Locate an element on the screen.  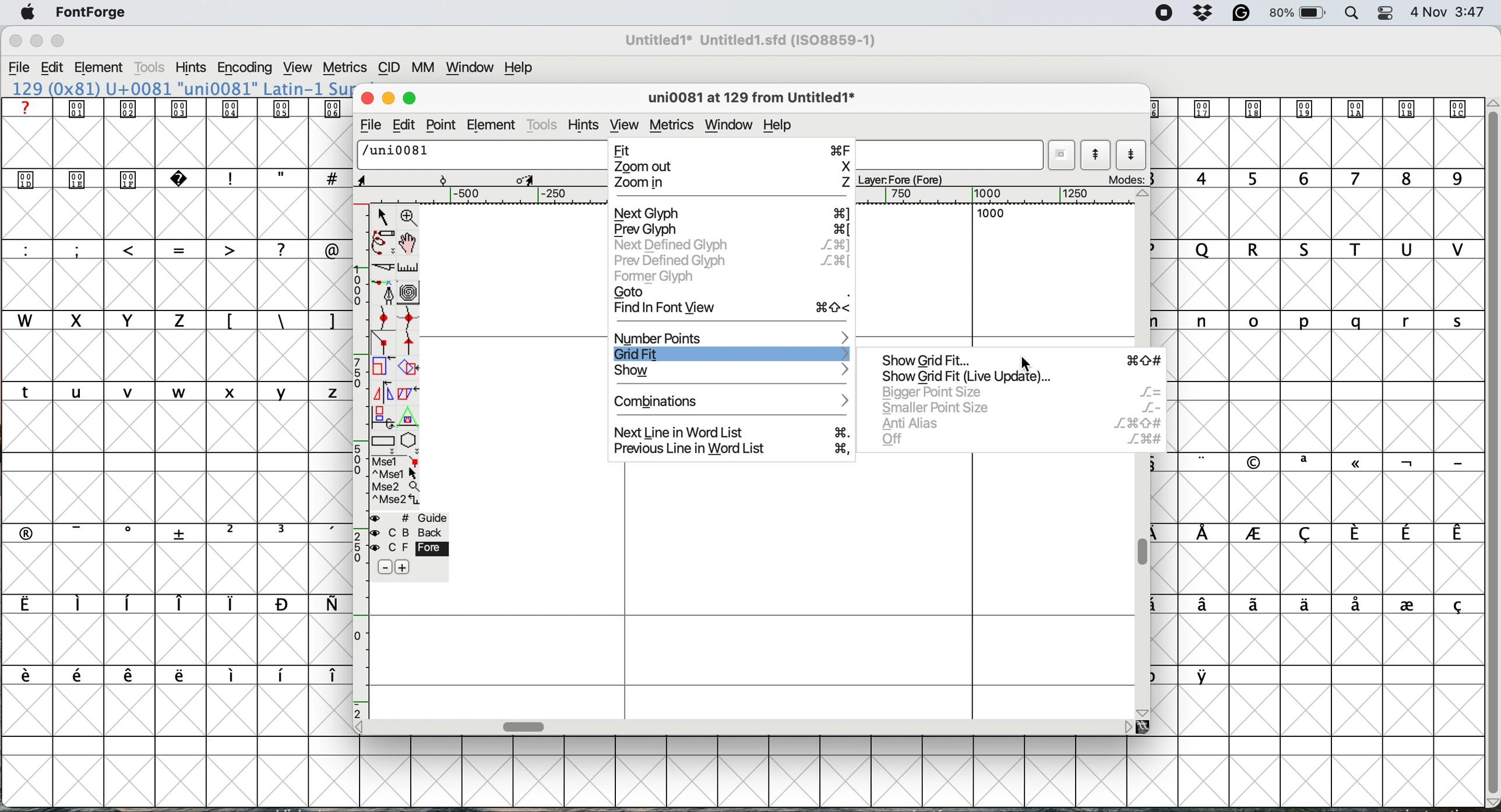
grid fit is located at coordinates (732, 352).